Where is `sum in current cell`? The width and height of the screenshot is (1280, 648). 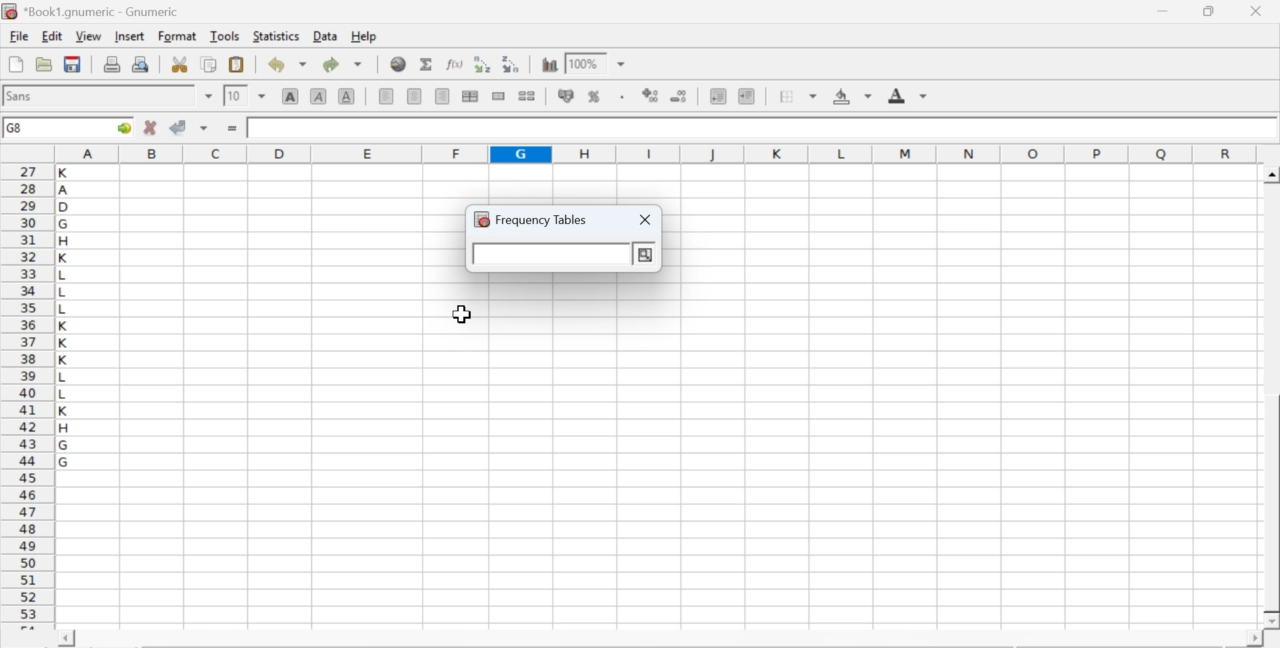
sum in current cell is located at coordinates (427, 63).